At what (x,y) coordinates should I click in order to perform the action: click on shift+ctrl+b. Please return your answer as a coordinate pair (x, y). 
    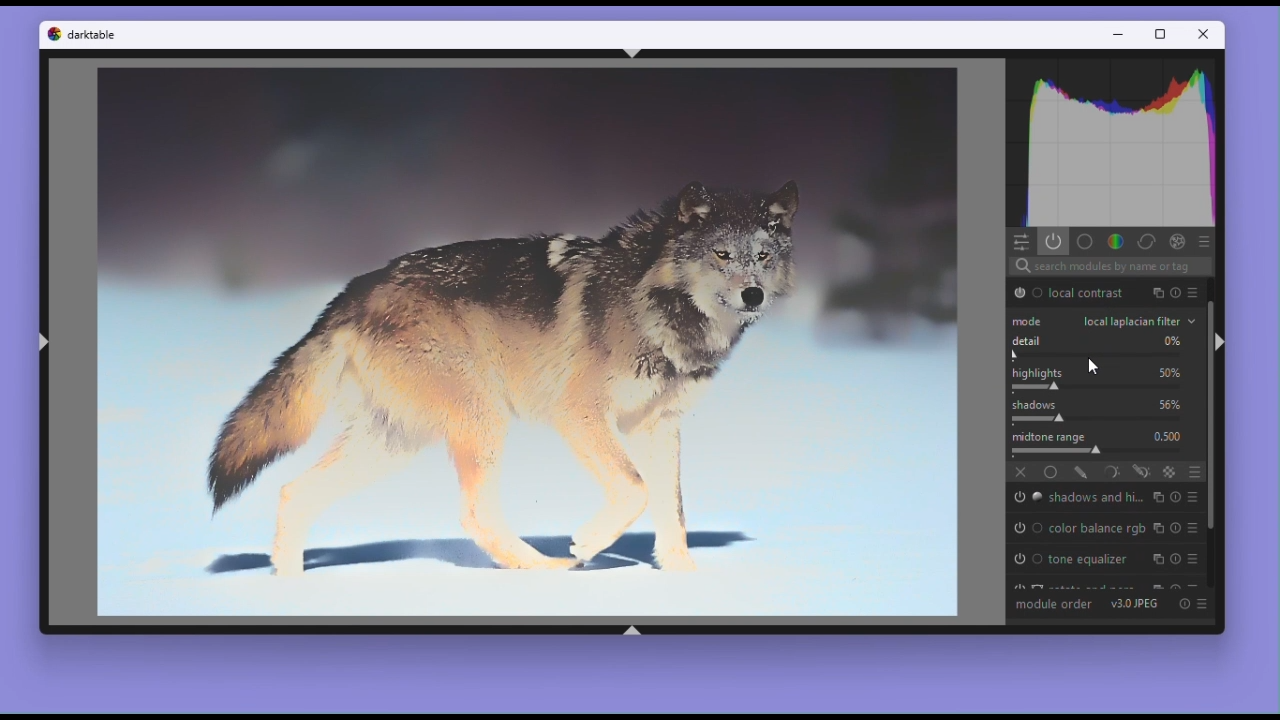
    Looking at the image, I should click on (631, 631).